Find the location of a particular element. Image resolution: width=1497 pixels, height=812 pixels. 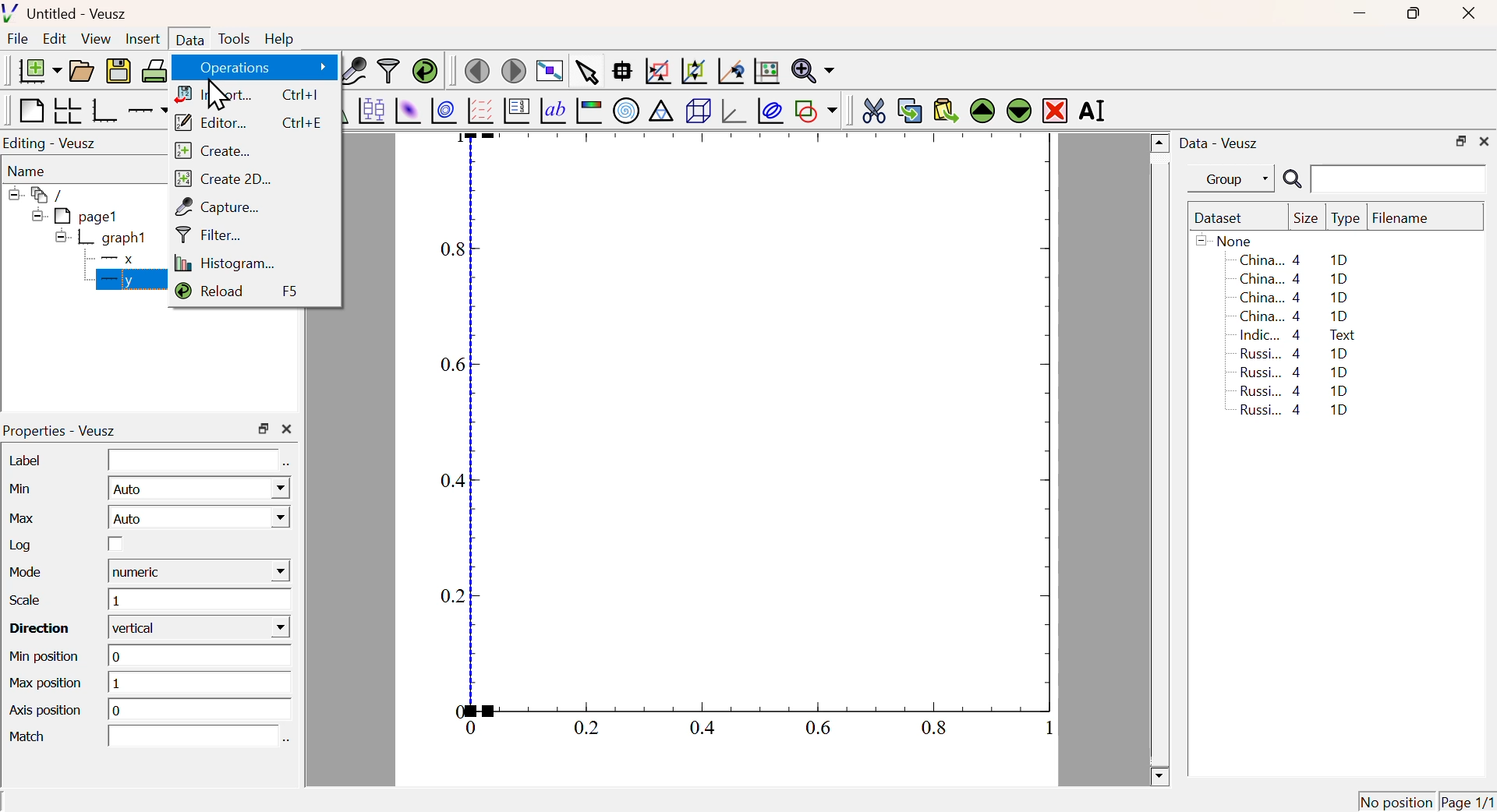

Close is located at coordinates (287, 430).